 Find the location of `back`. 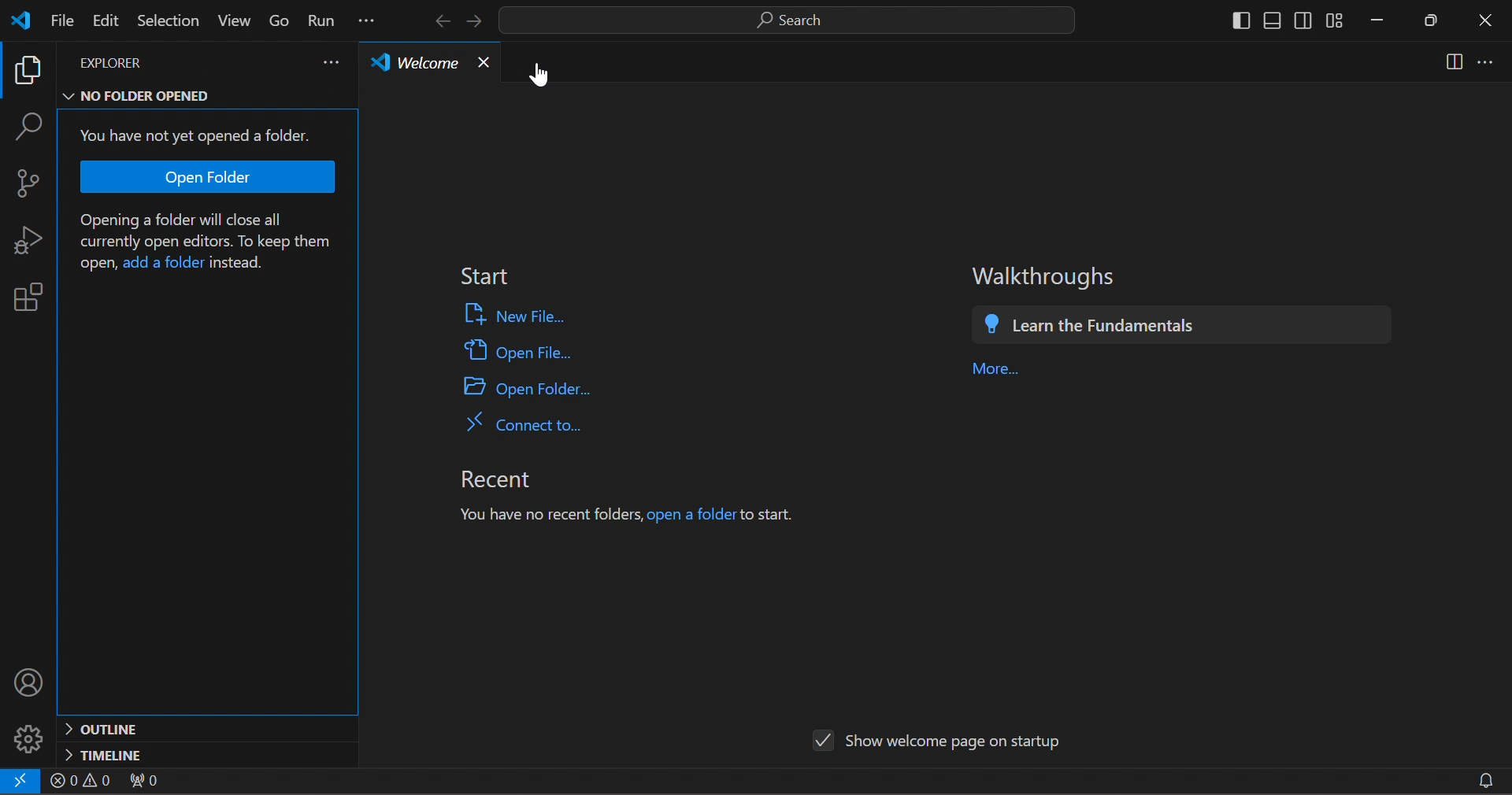

back is located at coordinates (442, 20).